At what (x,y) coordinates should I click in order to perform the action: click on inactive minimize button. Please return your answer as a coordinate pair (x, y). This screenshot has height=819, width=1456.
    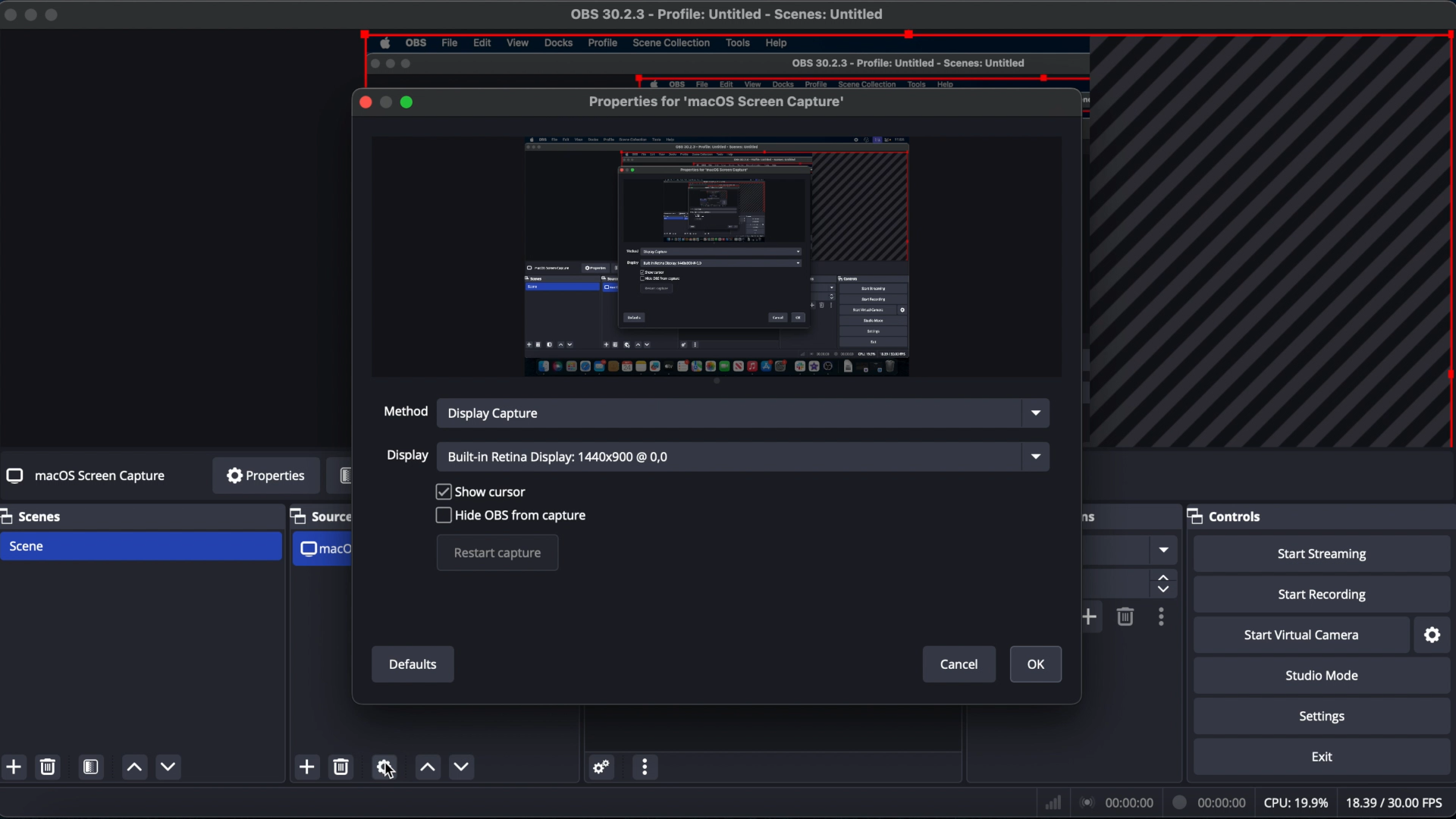
    Looking at the image, I should click on (385, 102).